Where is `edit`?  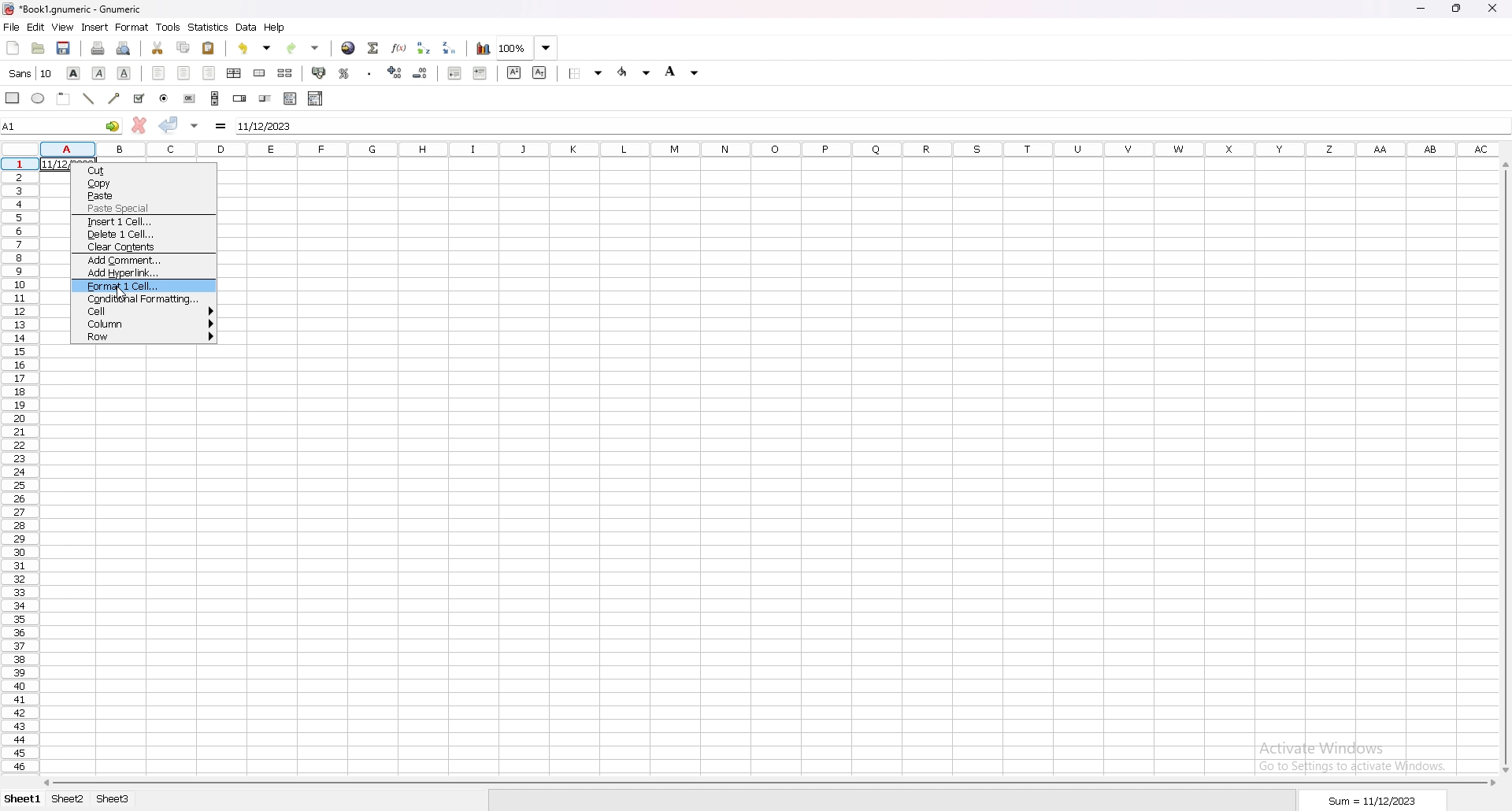 edit is located at coordinates (36, 27).